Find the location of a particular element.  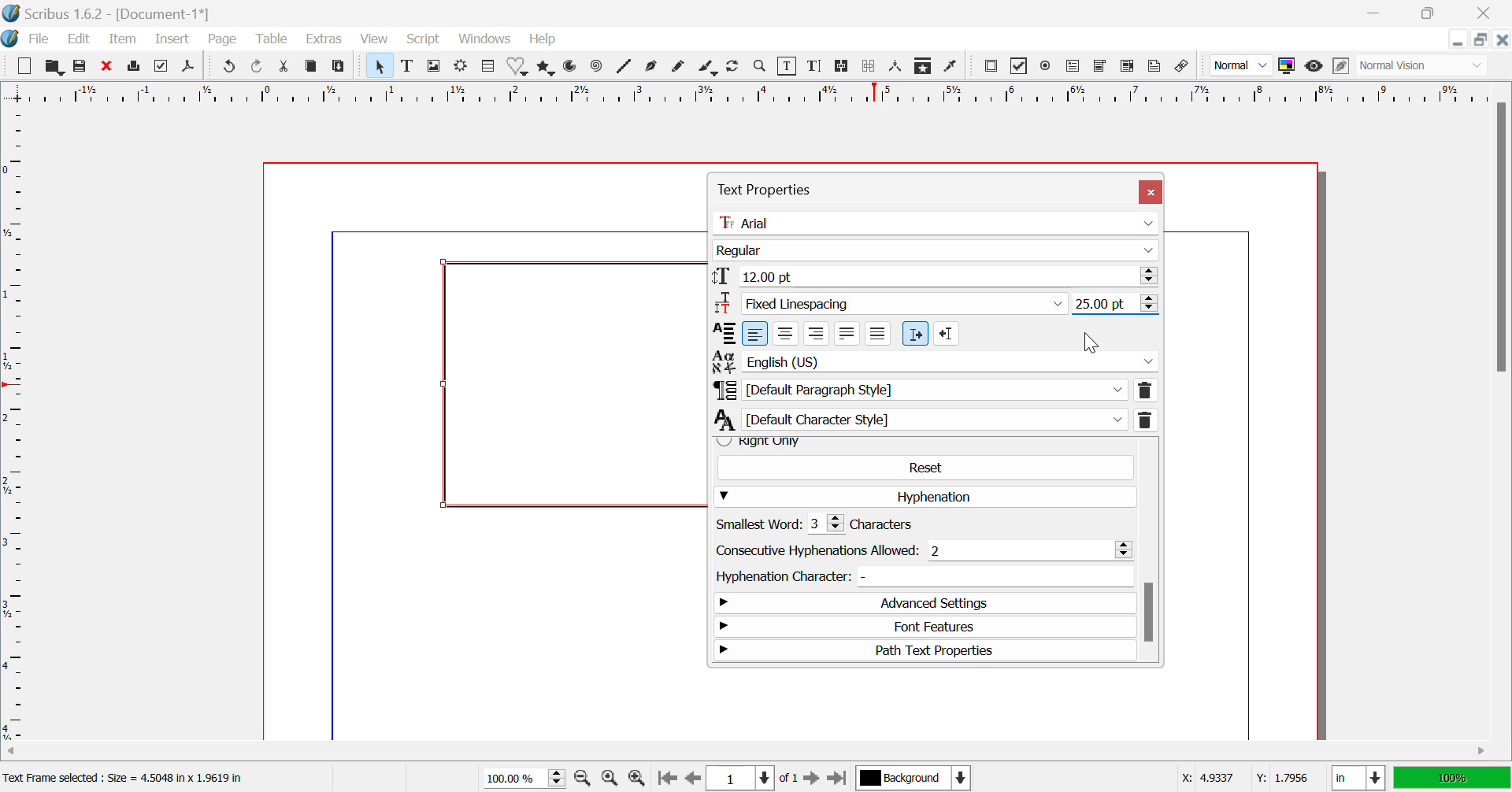

Forced justified is located at coordinates (878, 334).